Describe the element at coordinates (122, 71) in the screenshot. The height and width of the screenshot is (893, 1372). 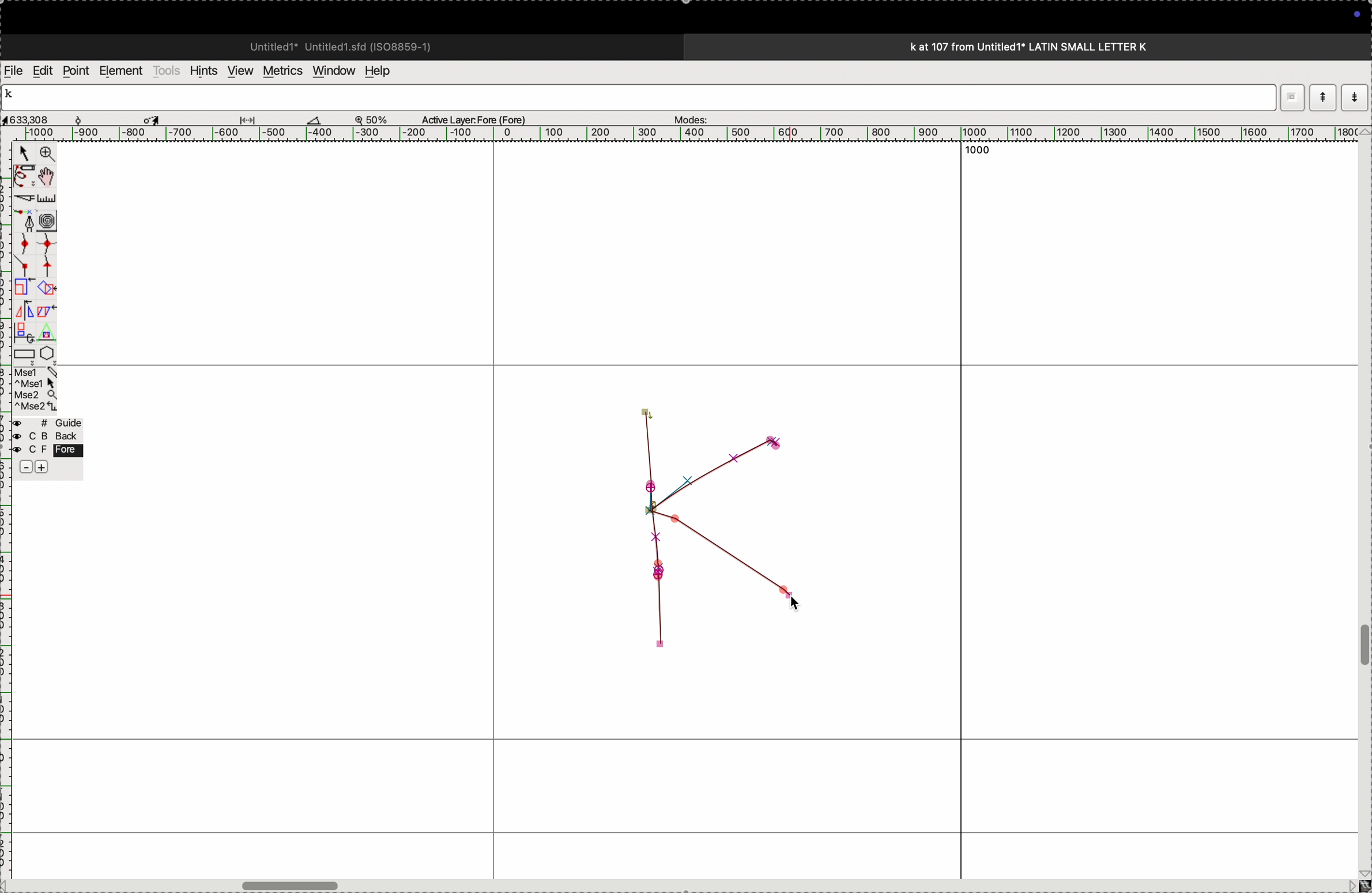
I see `element` at that location.